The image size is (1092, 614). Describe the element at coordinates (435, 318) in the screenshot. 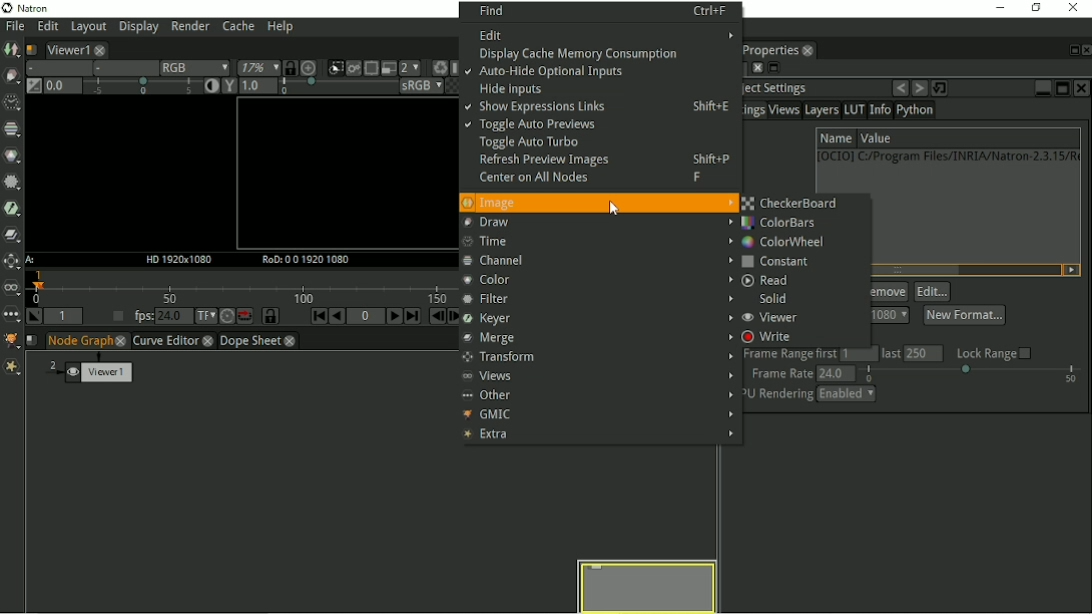

I see `Previous frame` at that location.